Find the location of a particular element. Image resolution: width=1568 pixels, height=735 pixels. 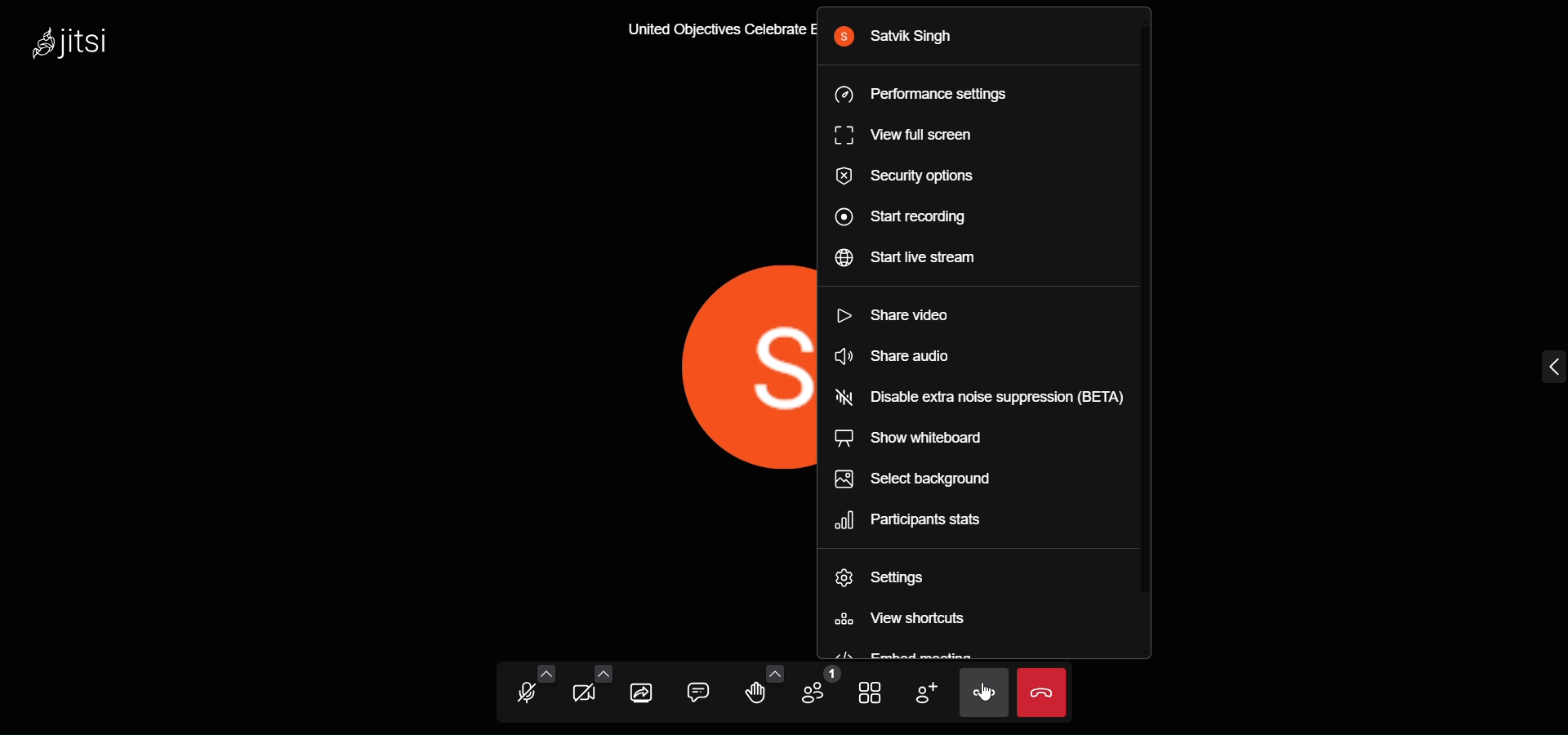

share screen is located at coordinates (643, 693).